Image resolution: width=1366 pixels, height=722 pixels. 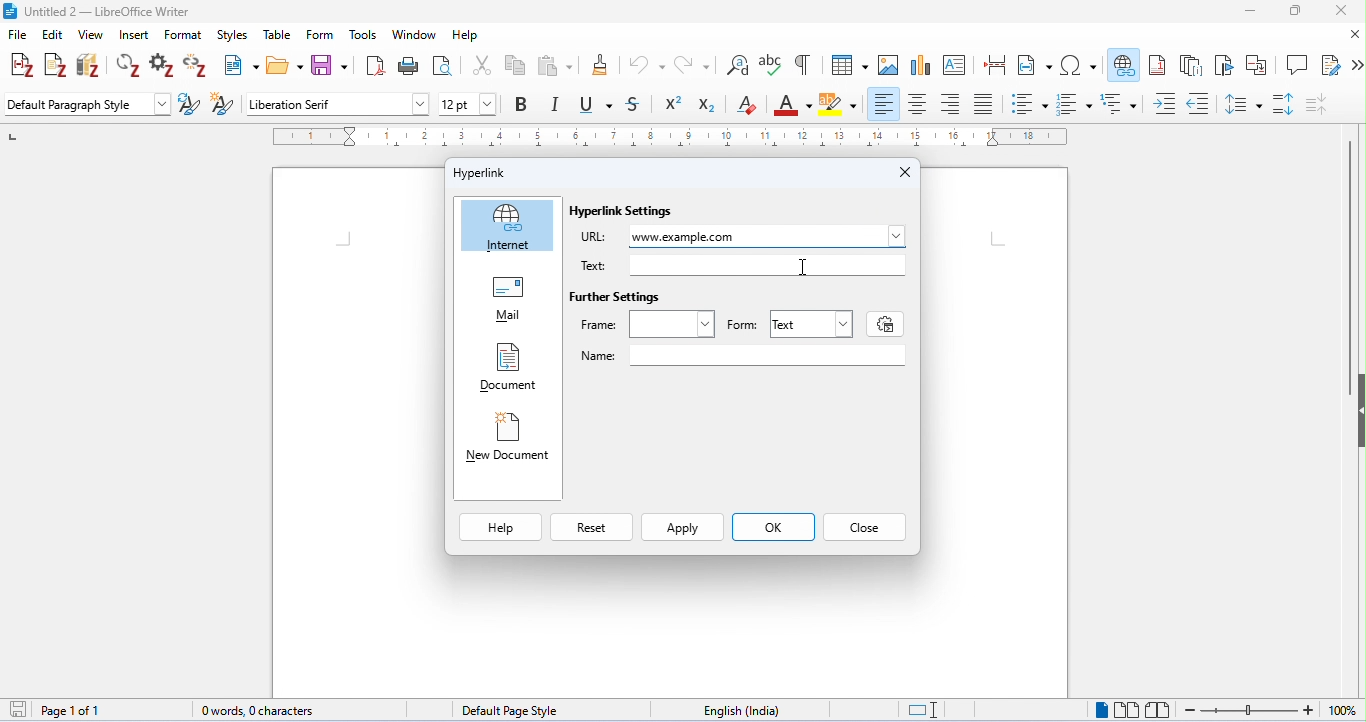 What do you see at coordinates (686, 527) in the screenshot?
I see `Apply` at bounding box center [686, 527].